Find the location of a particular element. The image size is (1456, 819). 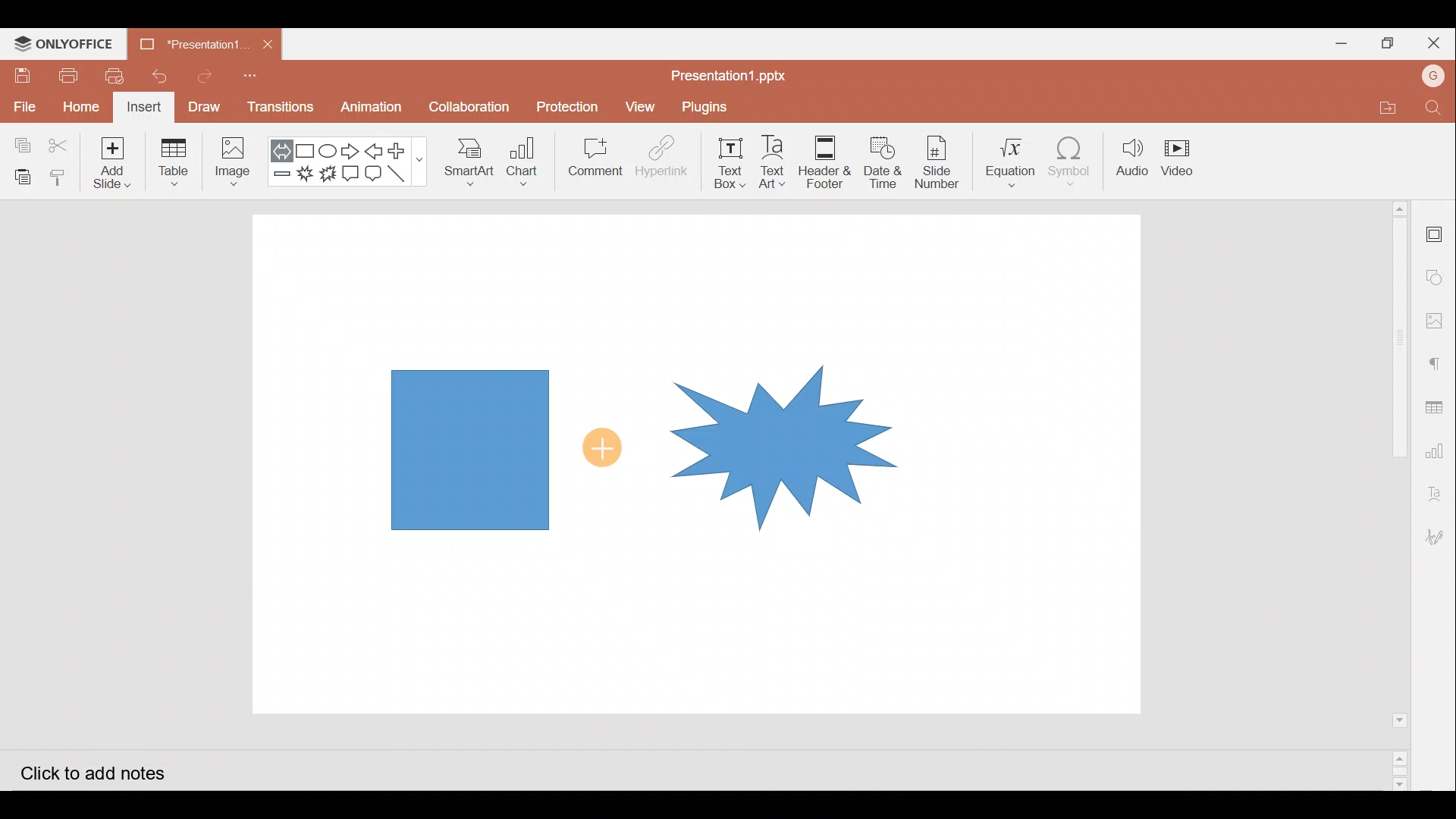

Explosion 1 is located at coordinates (305, 174).